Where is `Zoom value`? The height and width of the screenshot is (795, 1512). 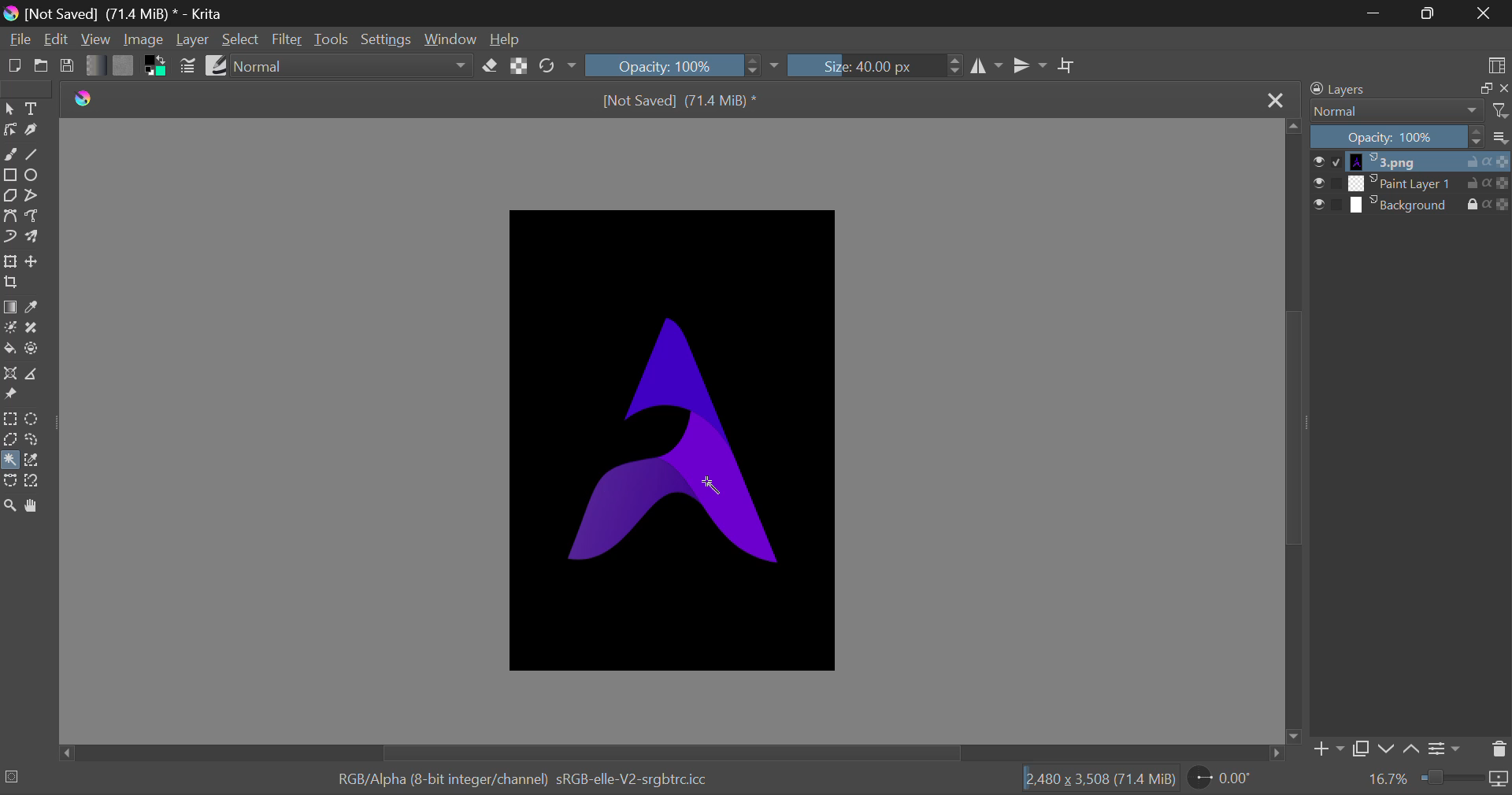
Zoom value is located at coordinates (1388, 778).